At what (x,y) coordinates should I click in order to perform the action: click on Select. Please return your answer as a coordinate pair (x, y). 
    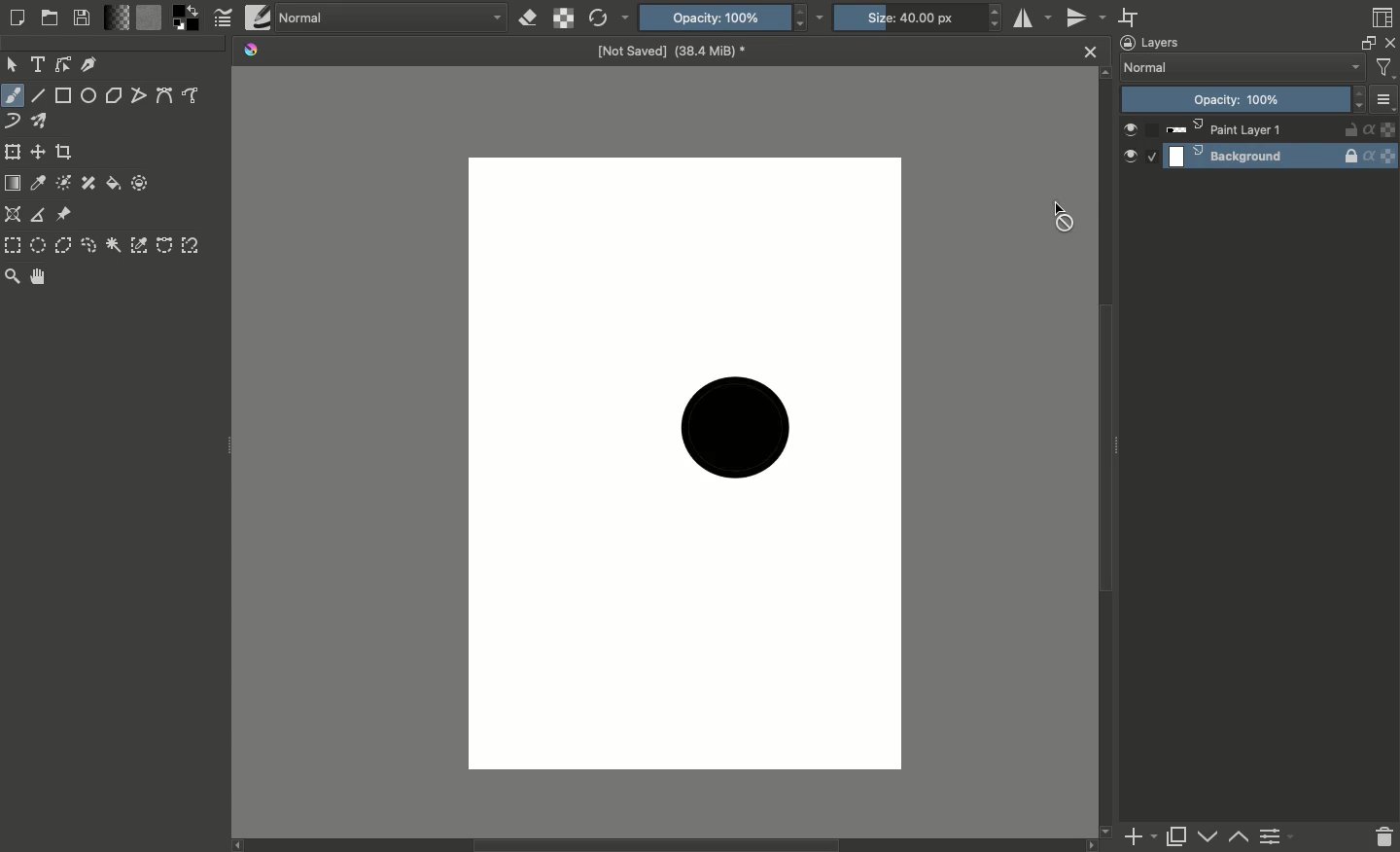
    Looking at the image, I should click on (1153, 156).